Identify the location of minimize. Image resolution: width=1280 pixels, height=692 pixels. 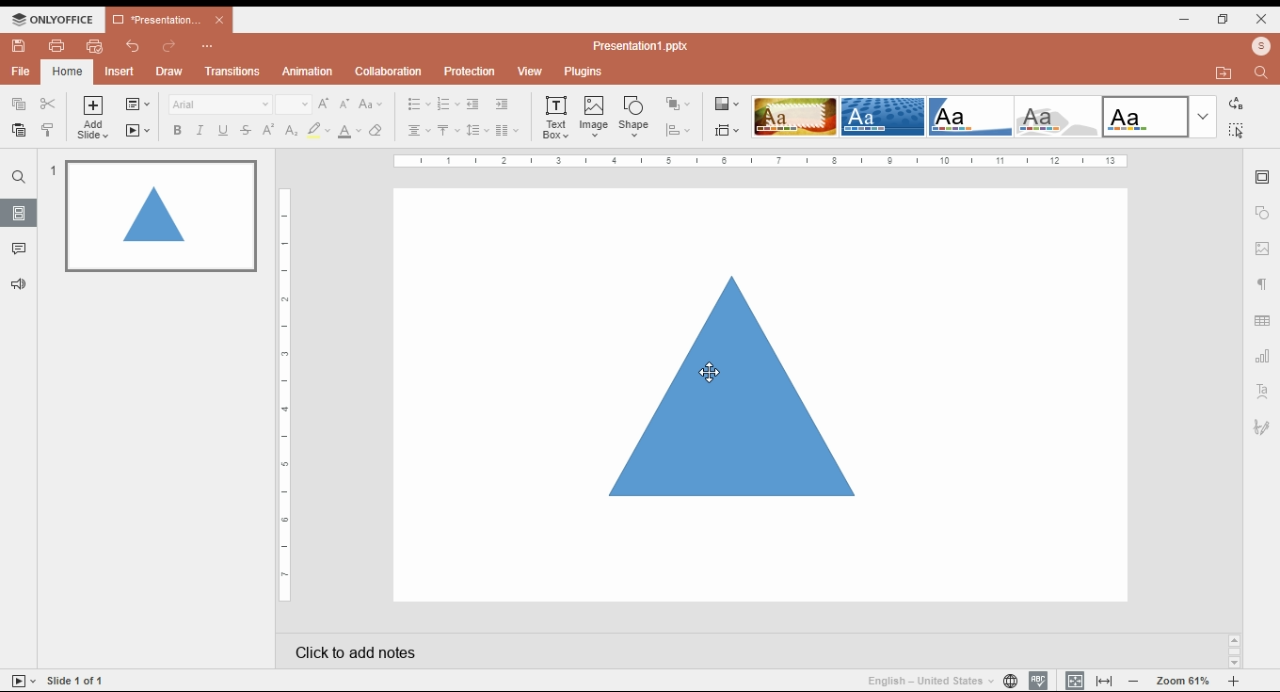
(1185, 20).